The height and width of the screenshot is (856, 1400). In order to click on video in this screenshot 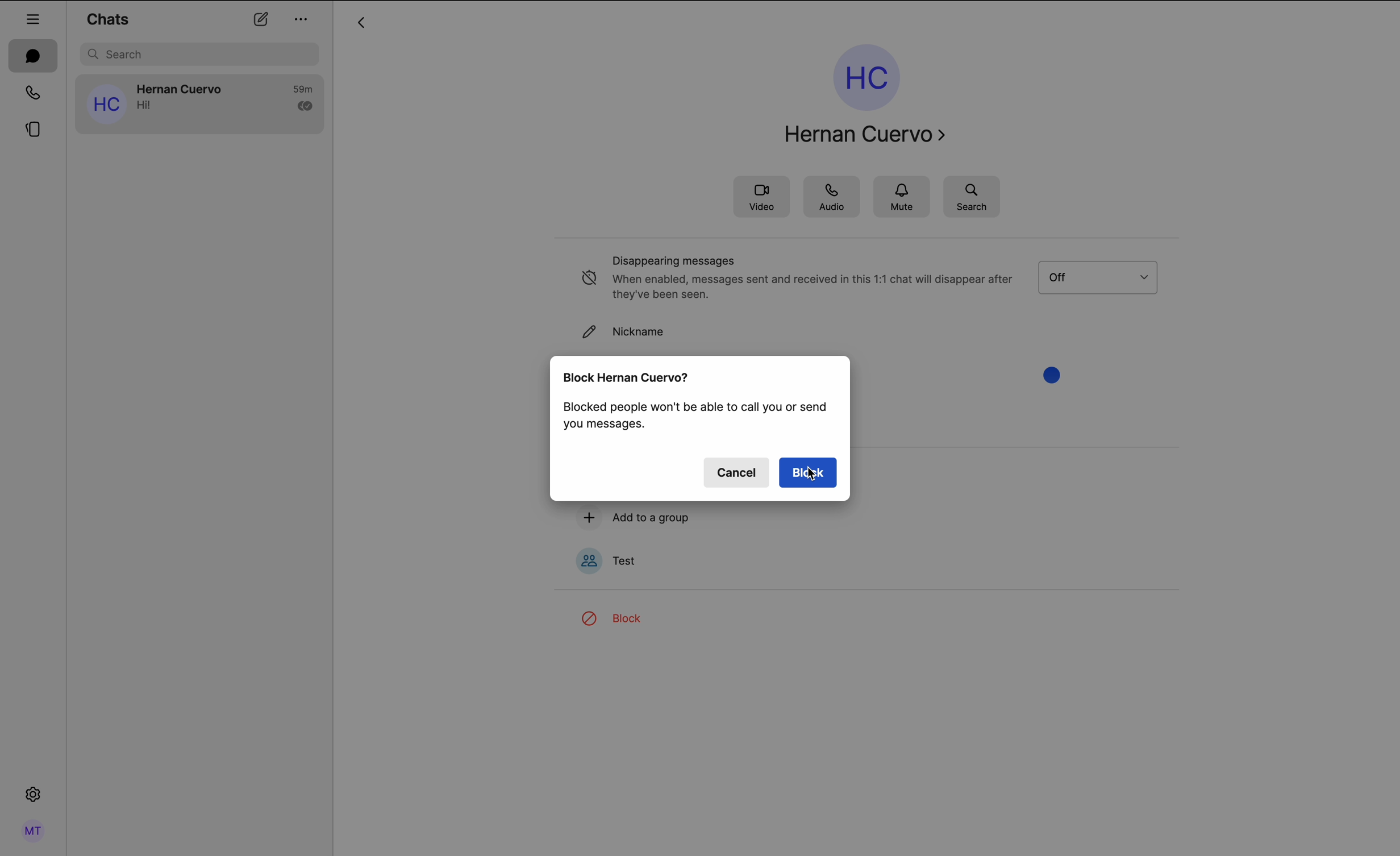, I will do `click(761, 196)`.